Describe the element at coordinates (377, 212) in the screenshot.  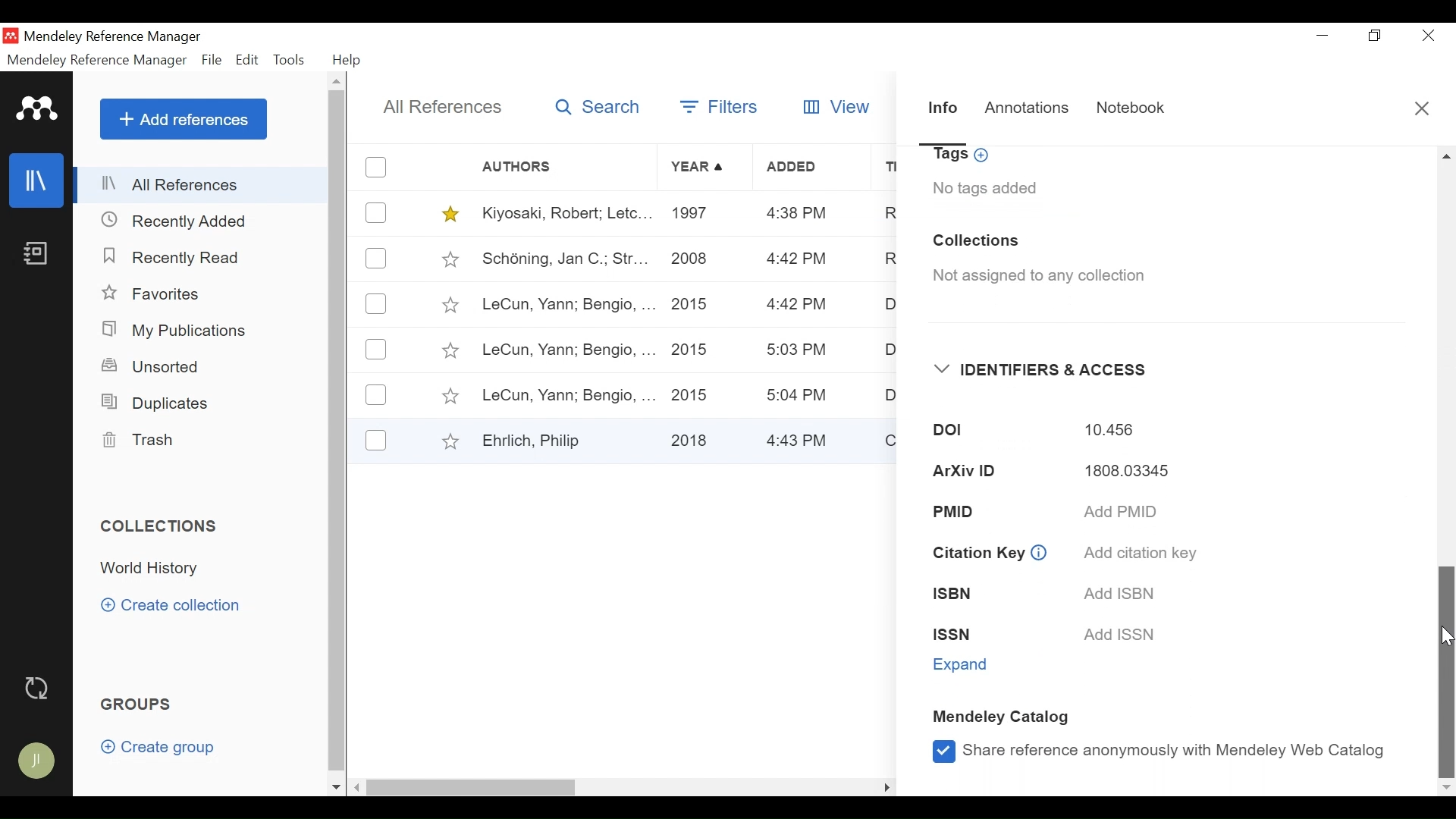
I see `(un)select` at that location.